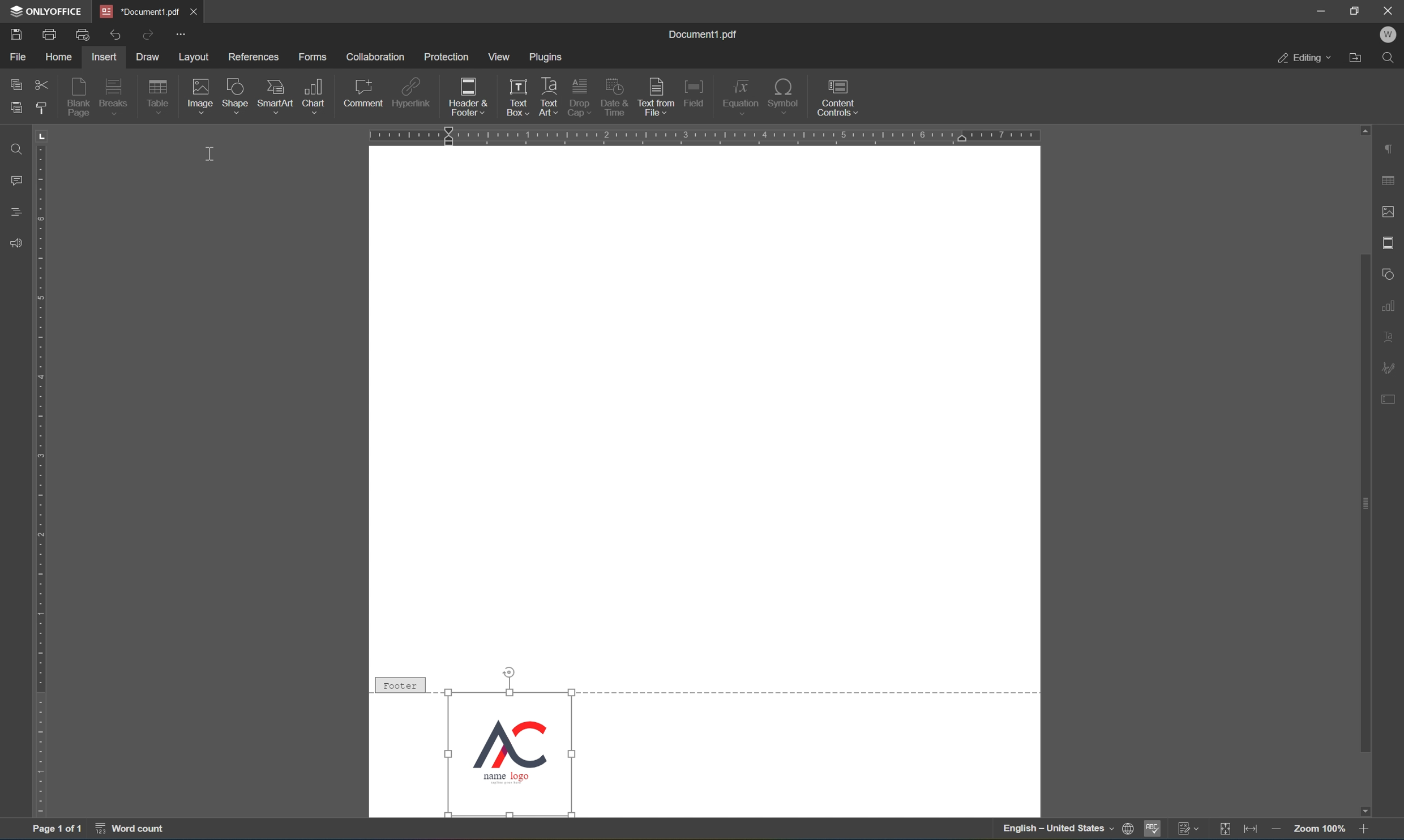  What do you see at coordinates (447, 58) in the screenshot?
I see `protection` at bounding box center [447, 58].